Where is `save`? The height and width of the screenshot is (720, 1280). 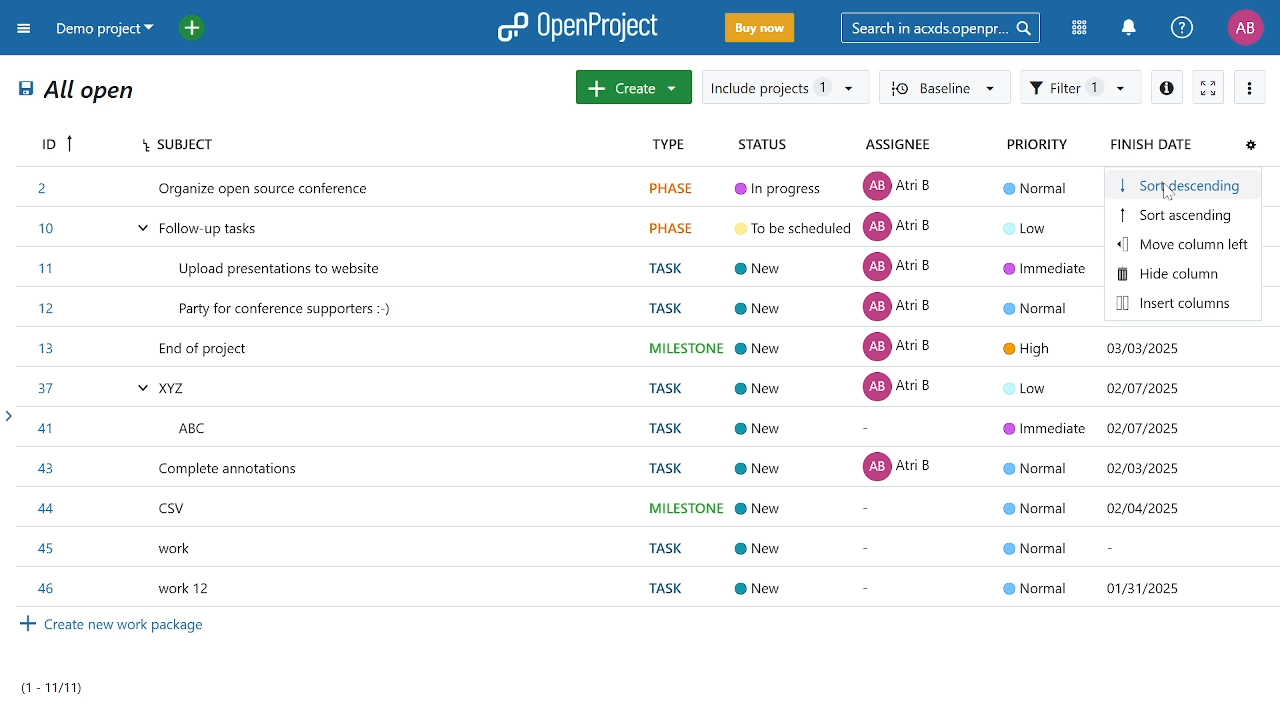 save is located at coordinates (27, 92).